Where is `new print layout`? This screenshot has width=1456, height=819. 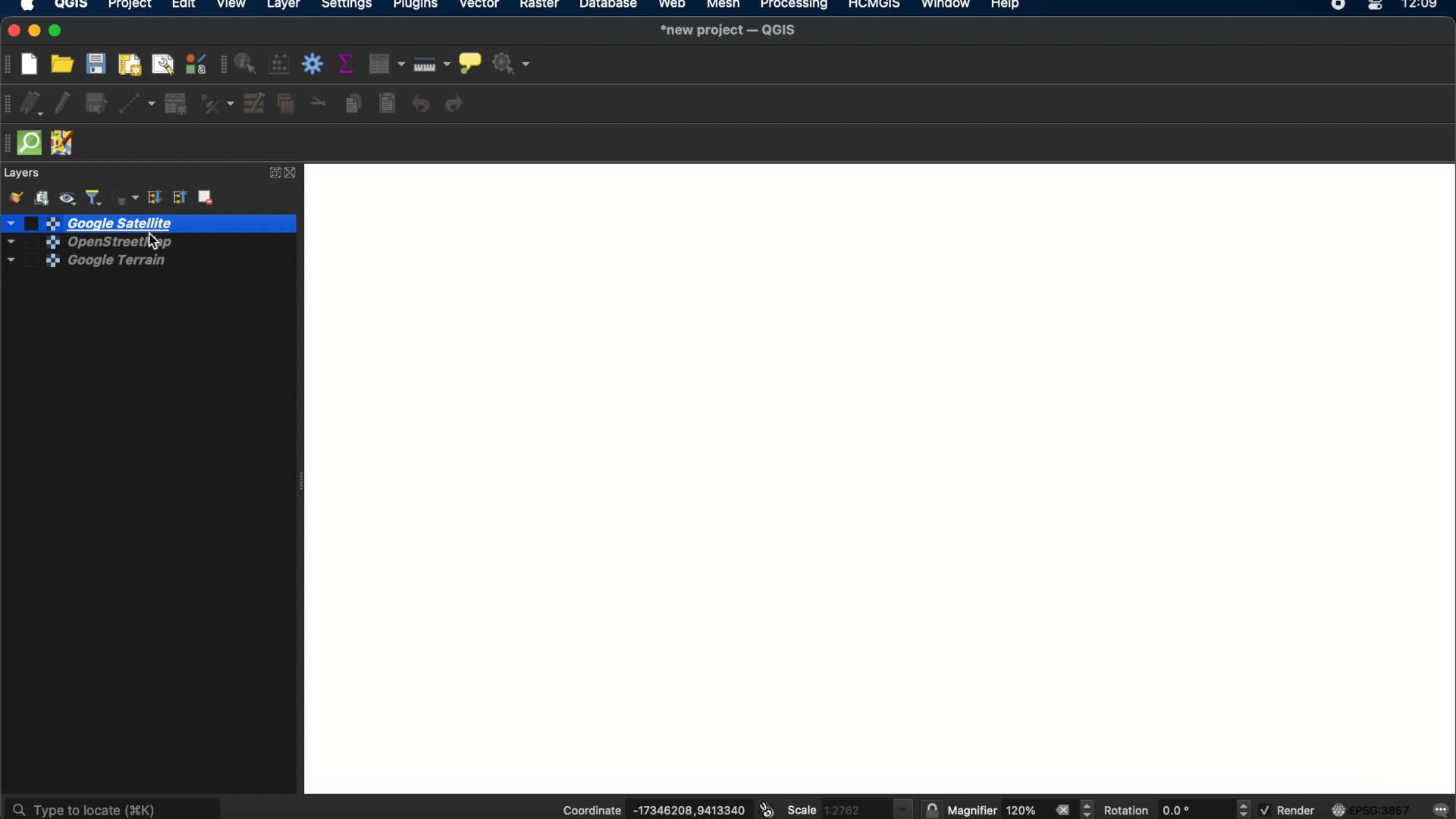
new print layout is located at coordinates (131, 64).